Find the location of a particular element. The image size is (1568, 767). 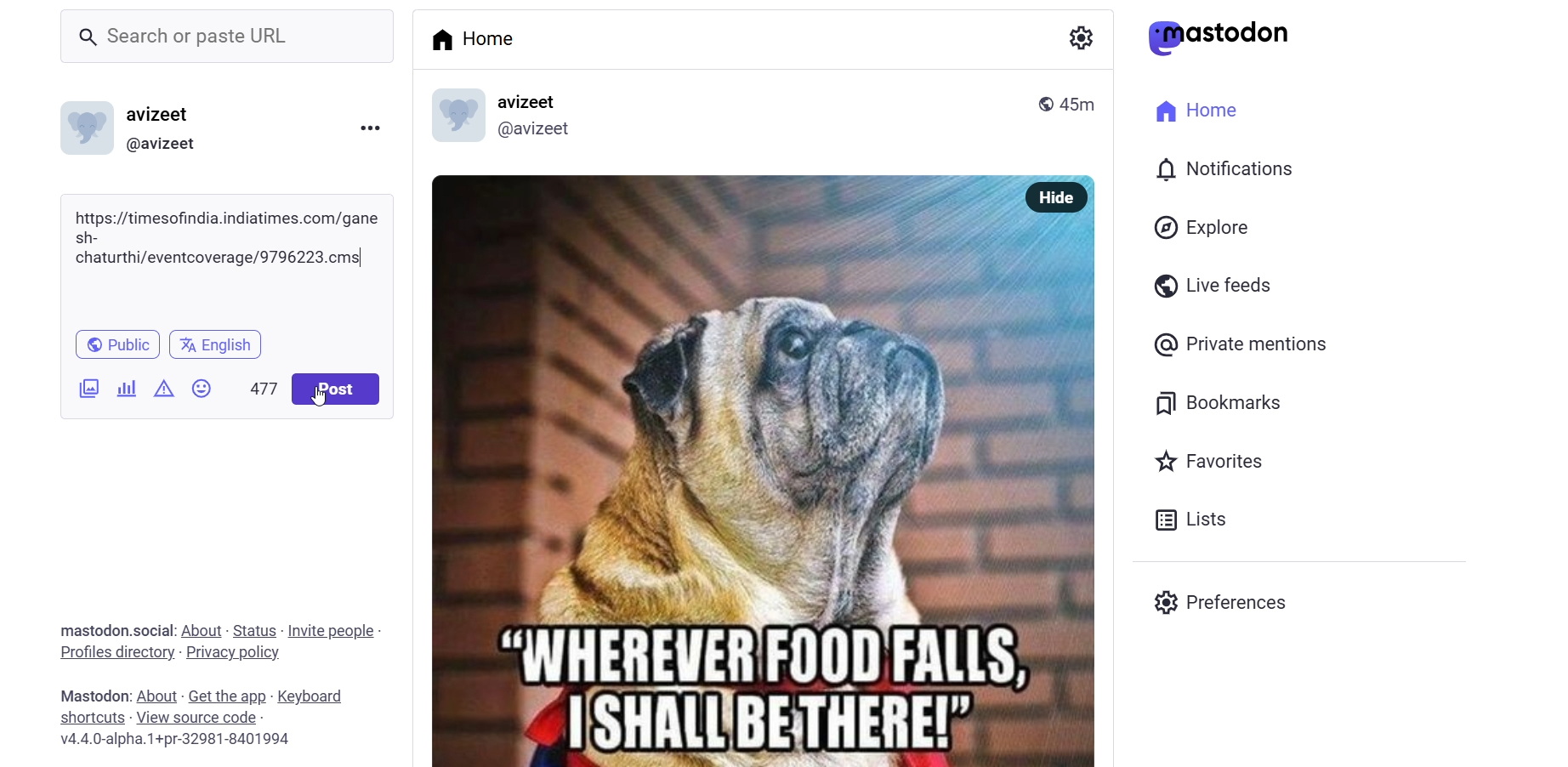

 Preferences is located at coordinates (1233, 608).